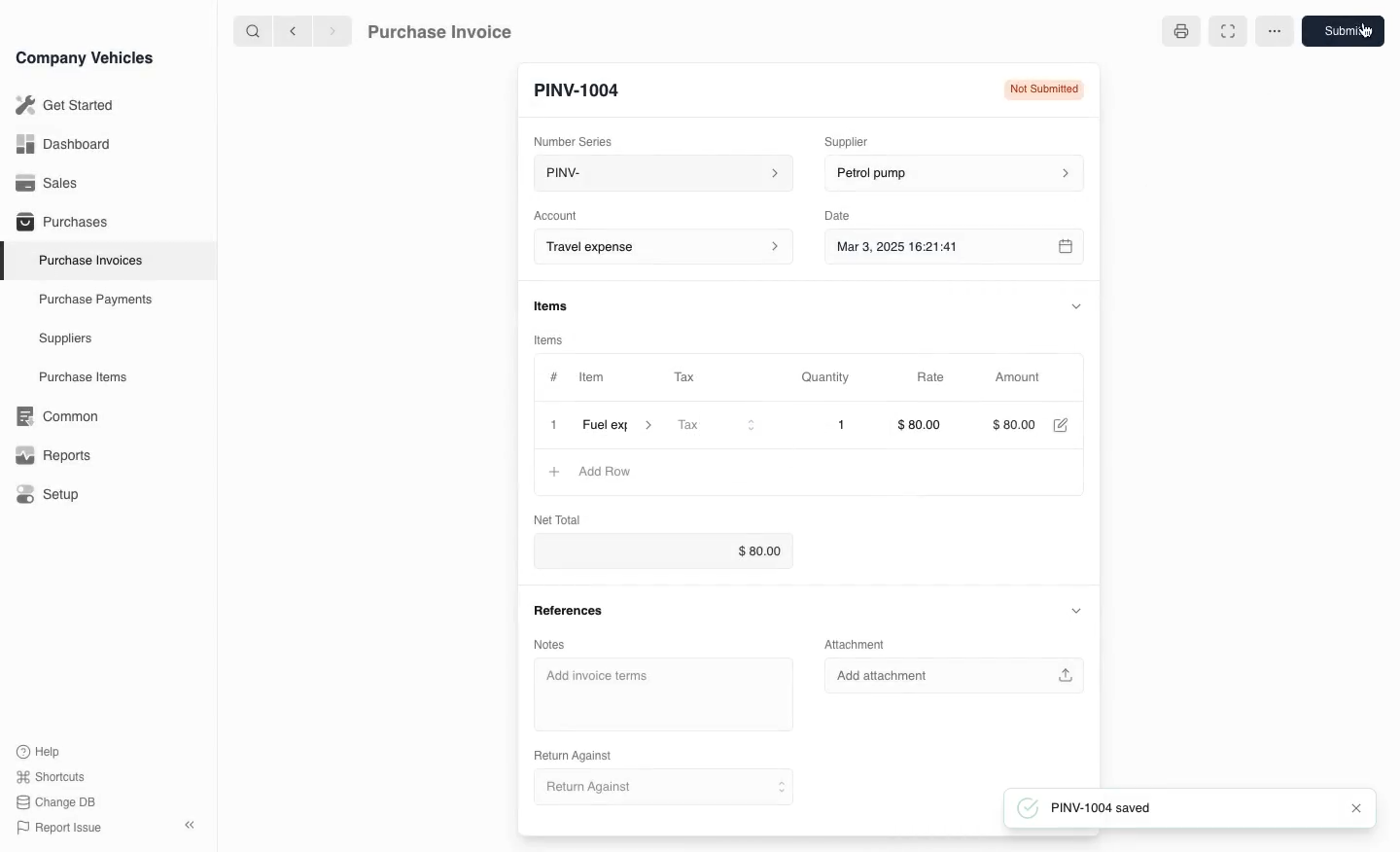  What do you see at coordinates (1022, 377) in the screenshot?
I see `Amount` at bounding box center [1022, 377].